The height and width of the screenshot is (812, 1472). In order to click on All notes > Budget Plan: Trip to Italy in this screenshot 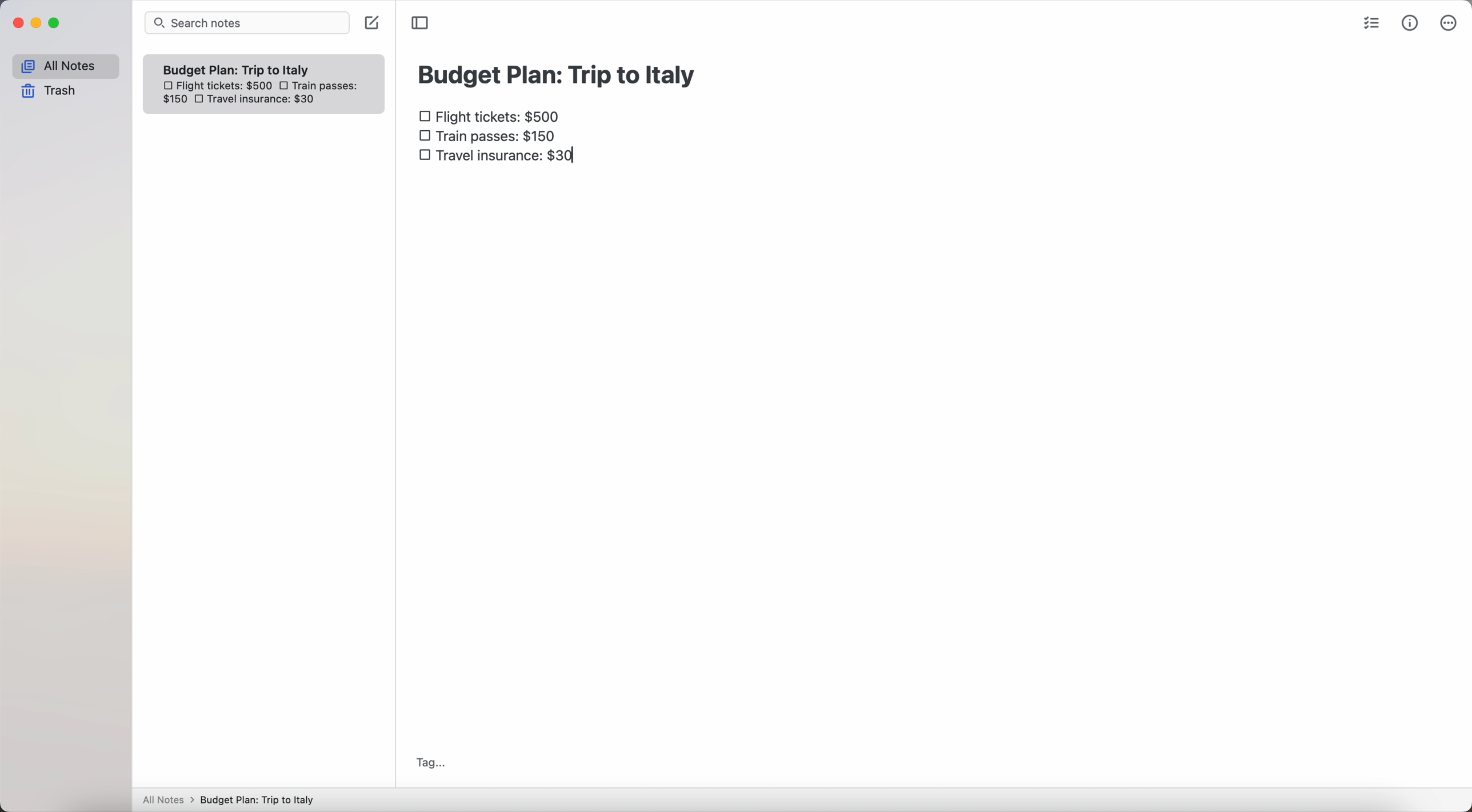, I will do `click(234, 799)`.